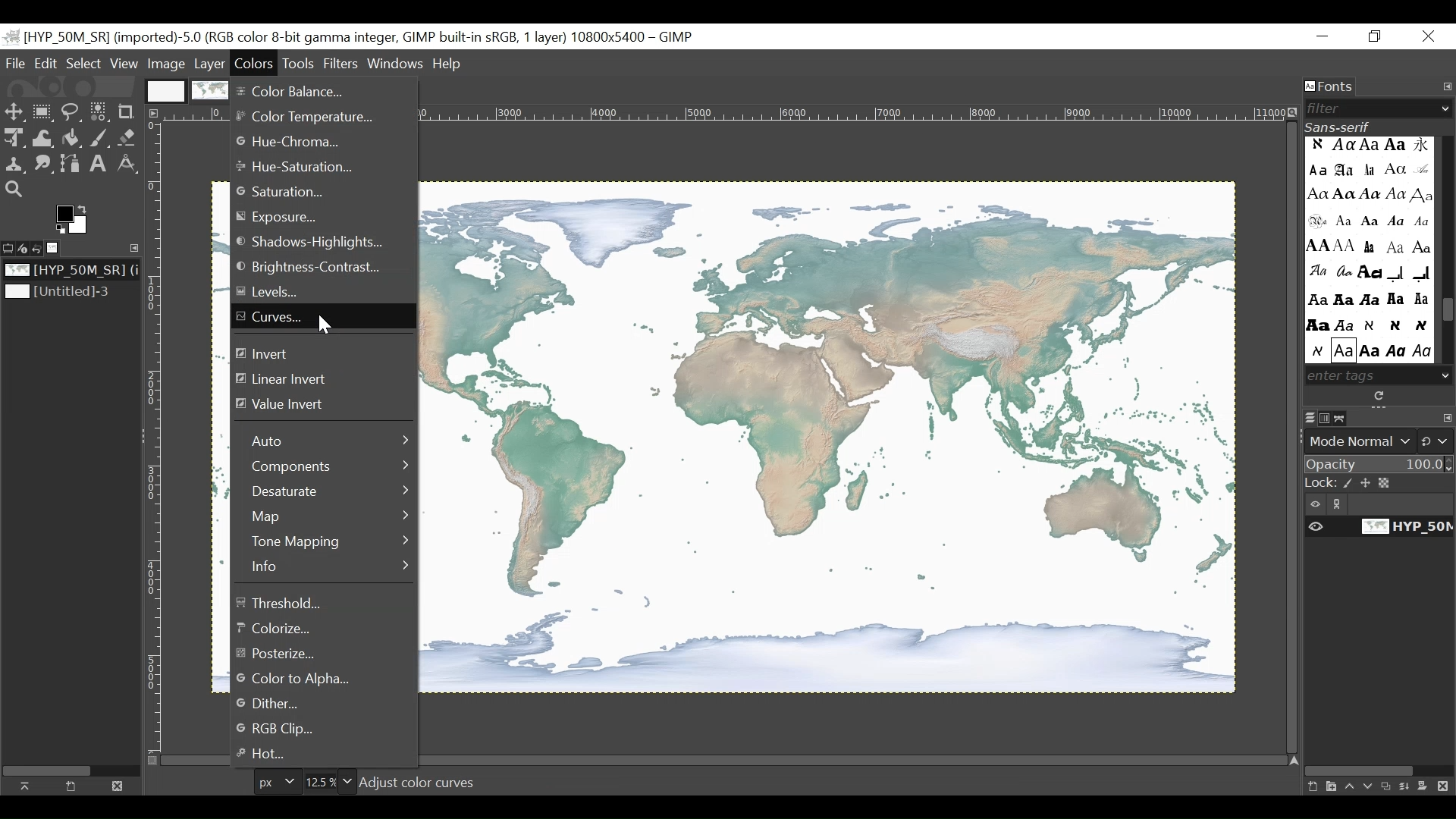  I want to click on Clone tool, so click(14, 164).